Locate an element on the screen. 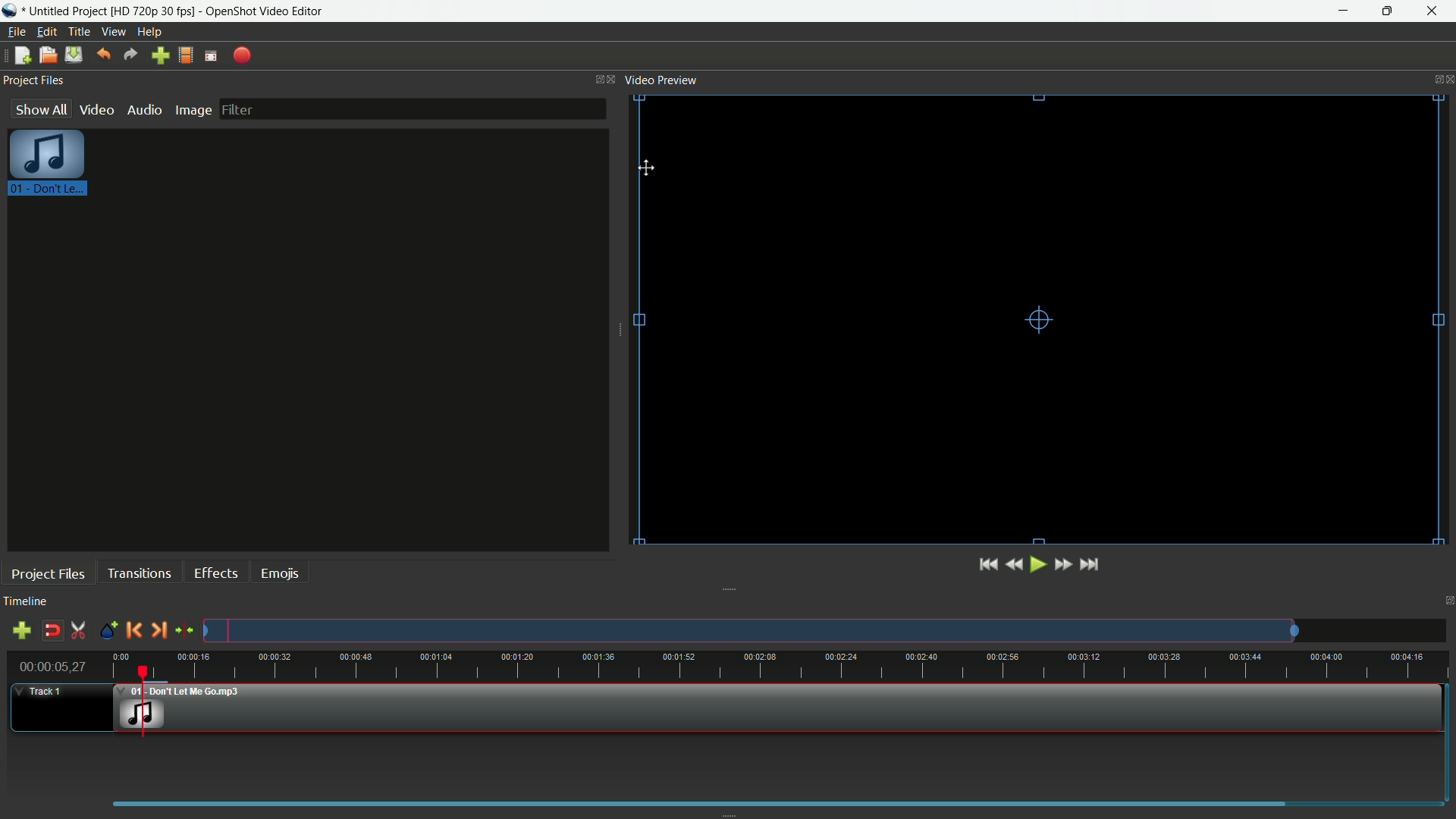 This screenshot has height=819, width=1456. edit menu is located at coordinates (46, 31).